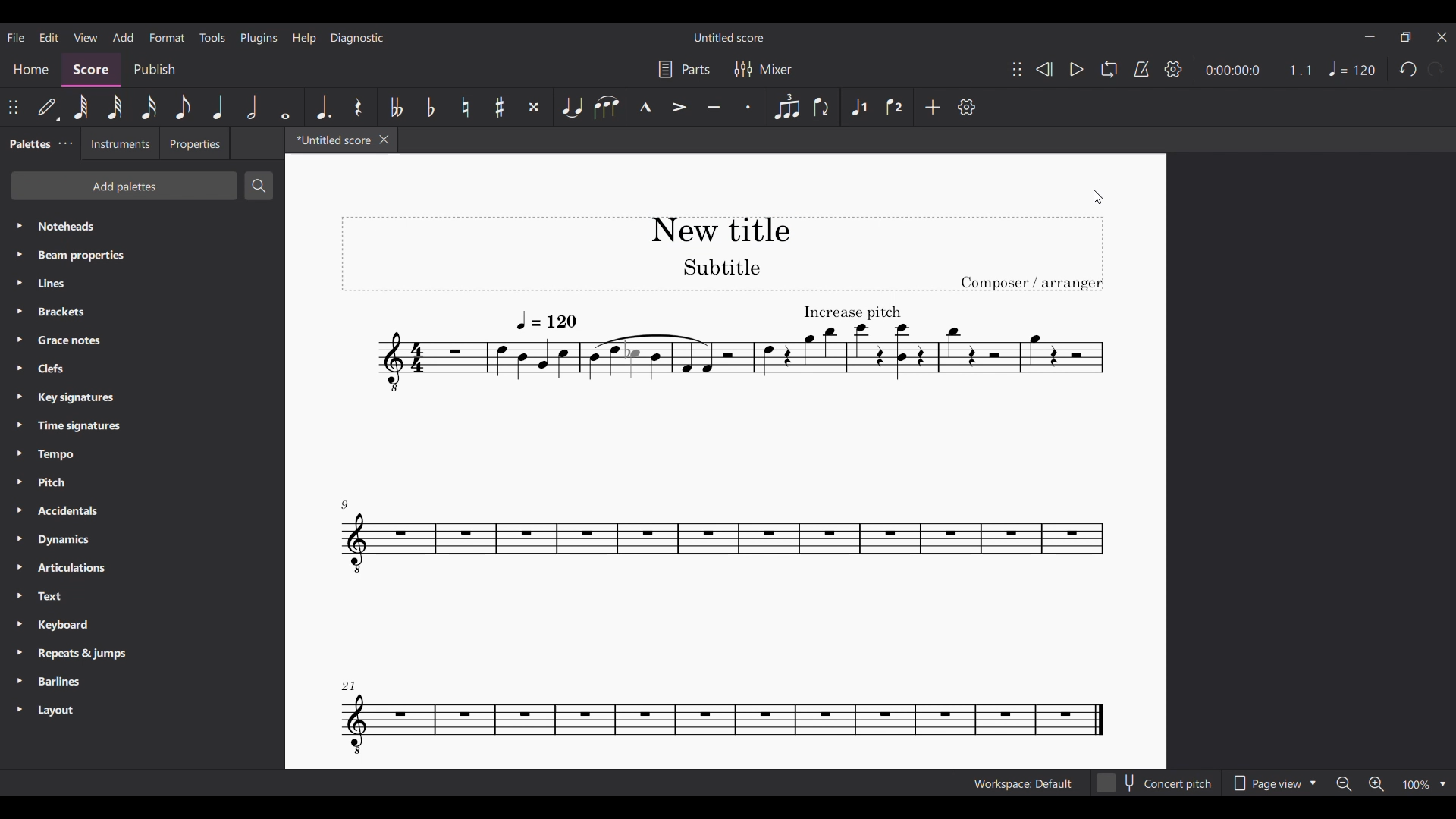 The height and width of the screenshot is (819, 1456). What do you see at coordinates (143, 312) in the screenshot?
I see `Brackets` at bounding box center [143, 312].